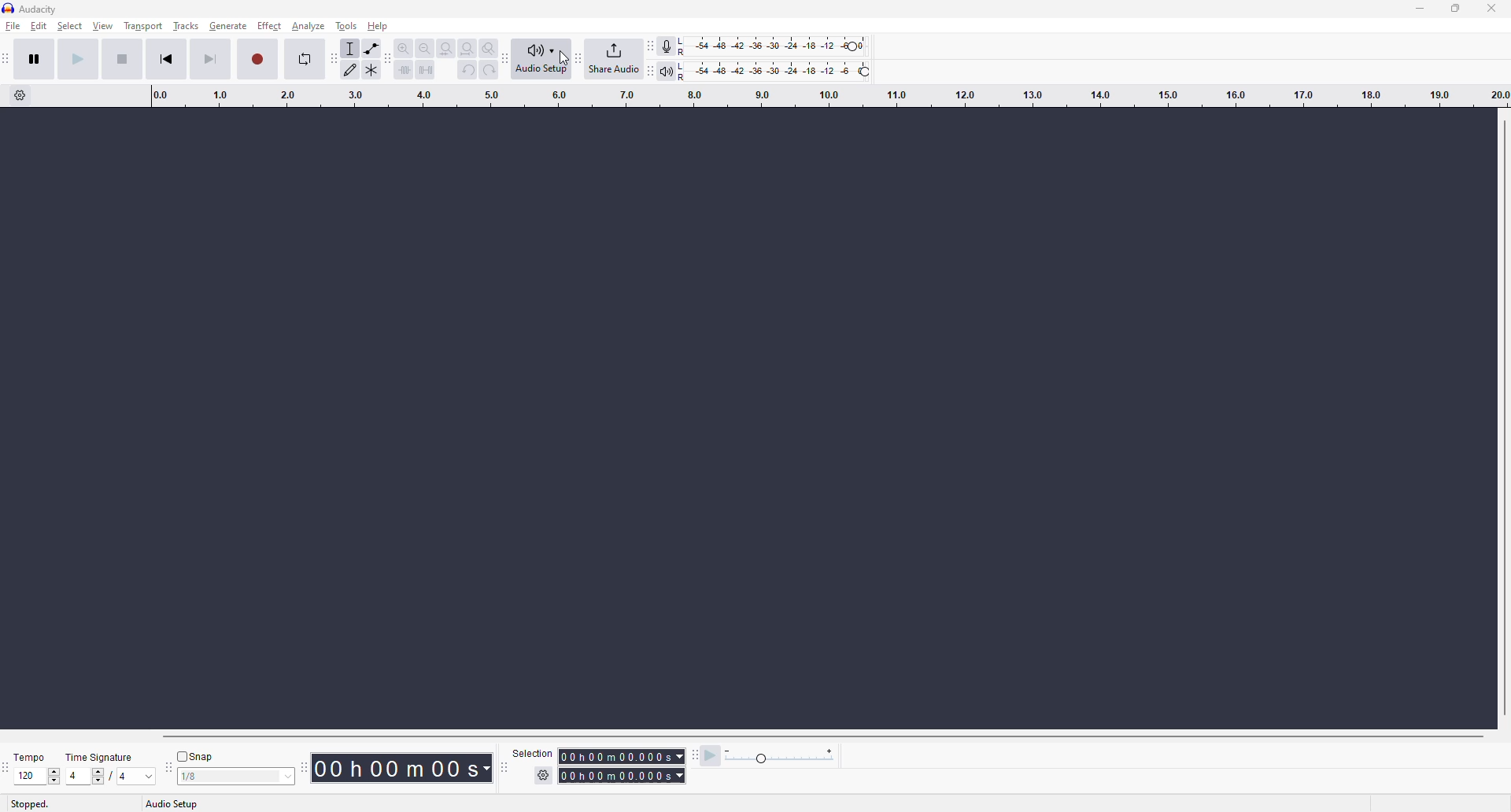 The image size is (1511, 812). What do you see at coordinates (791, 758) in the screenshot?
I see `playback speed` at bounding box center [791, 758].